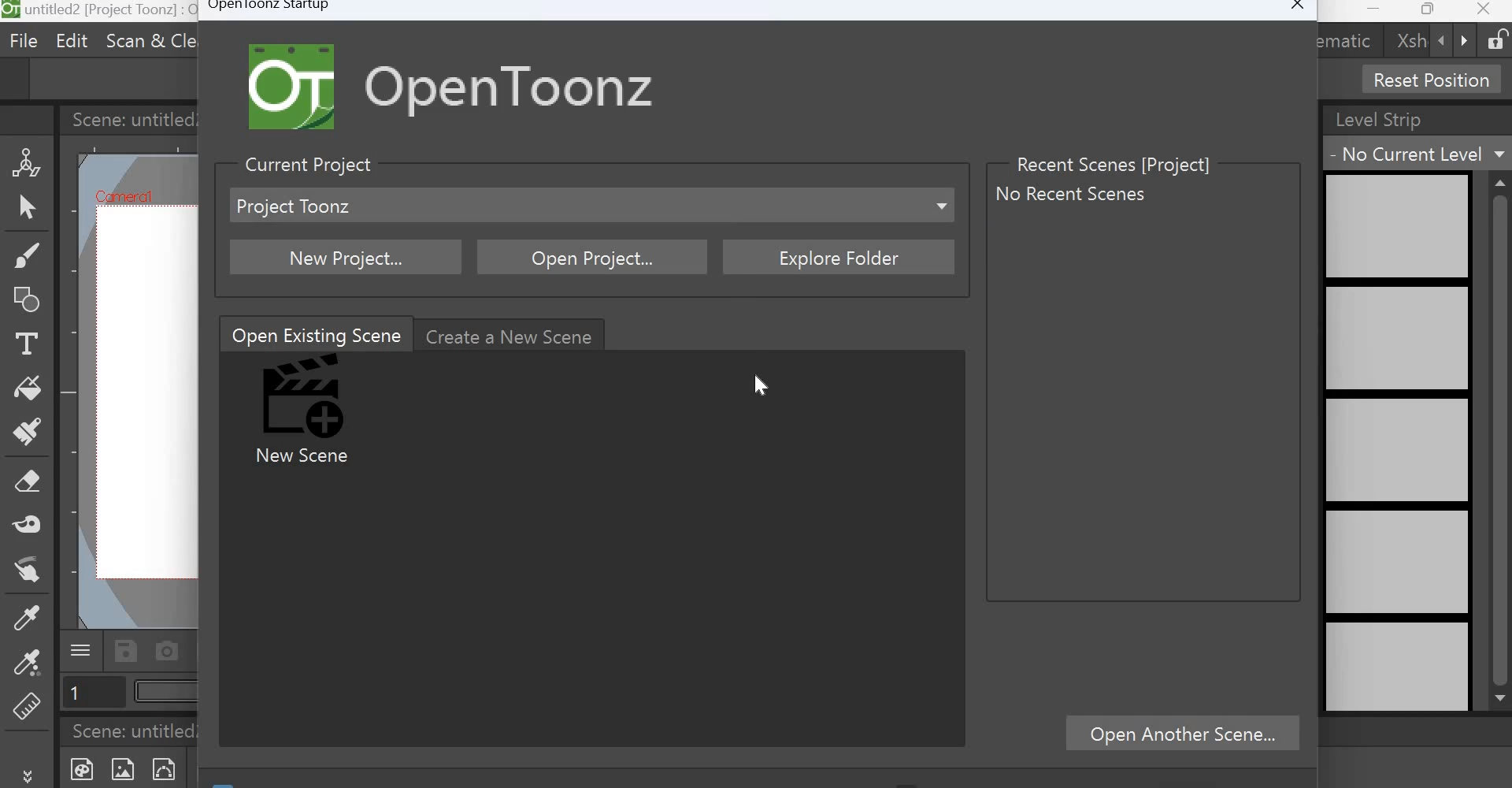 This screenshot has height=788, width=1512. I want to click on Recent Scenes [Project], so click(1114, 158).